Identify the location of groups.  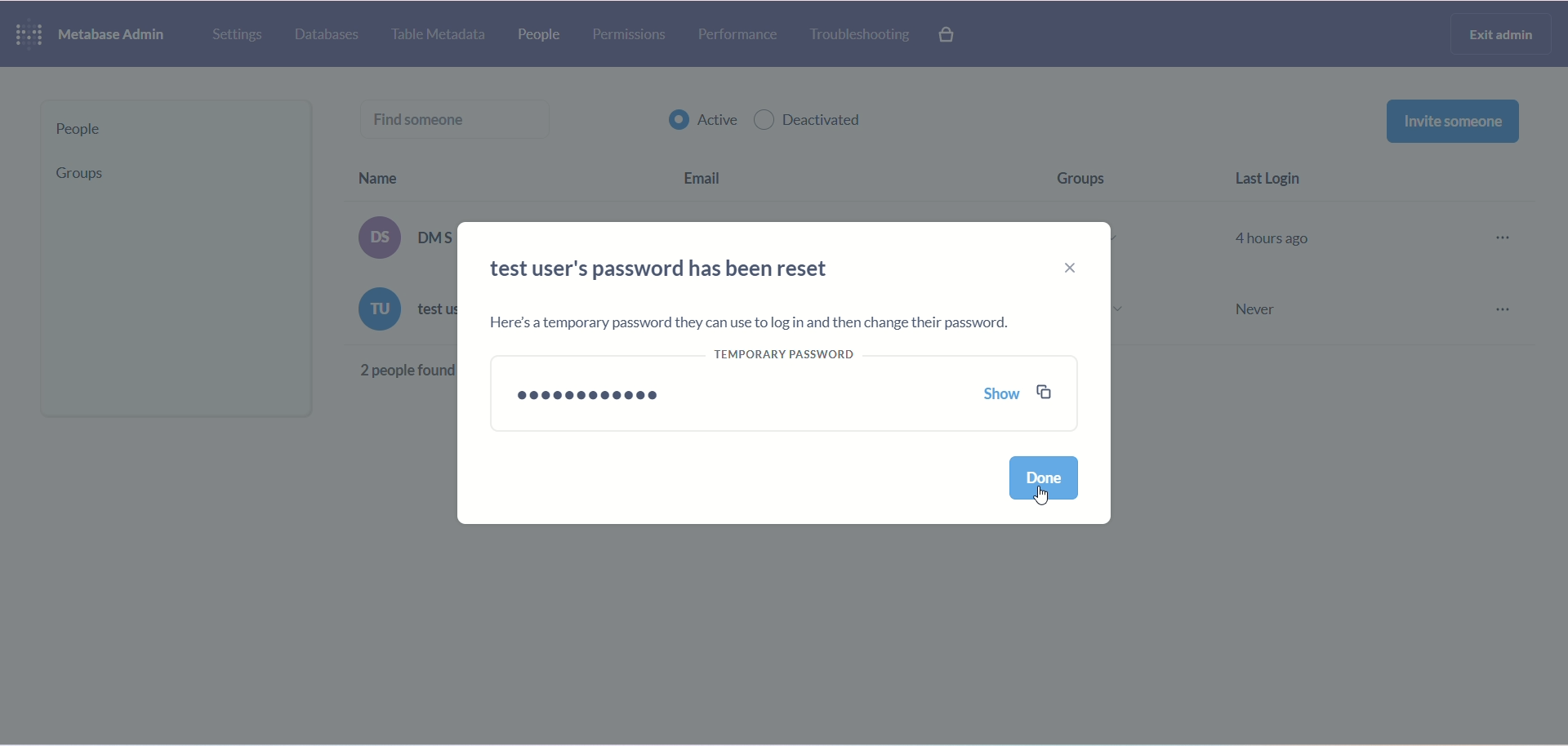
(1094, 175).